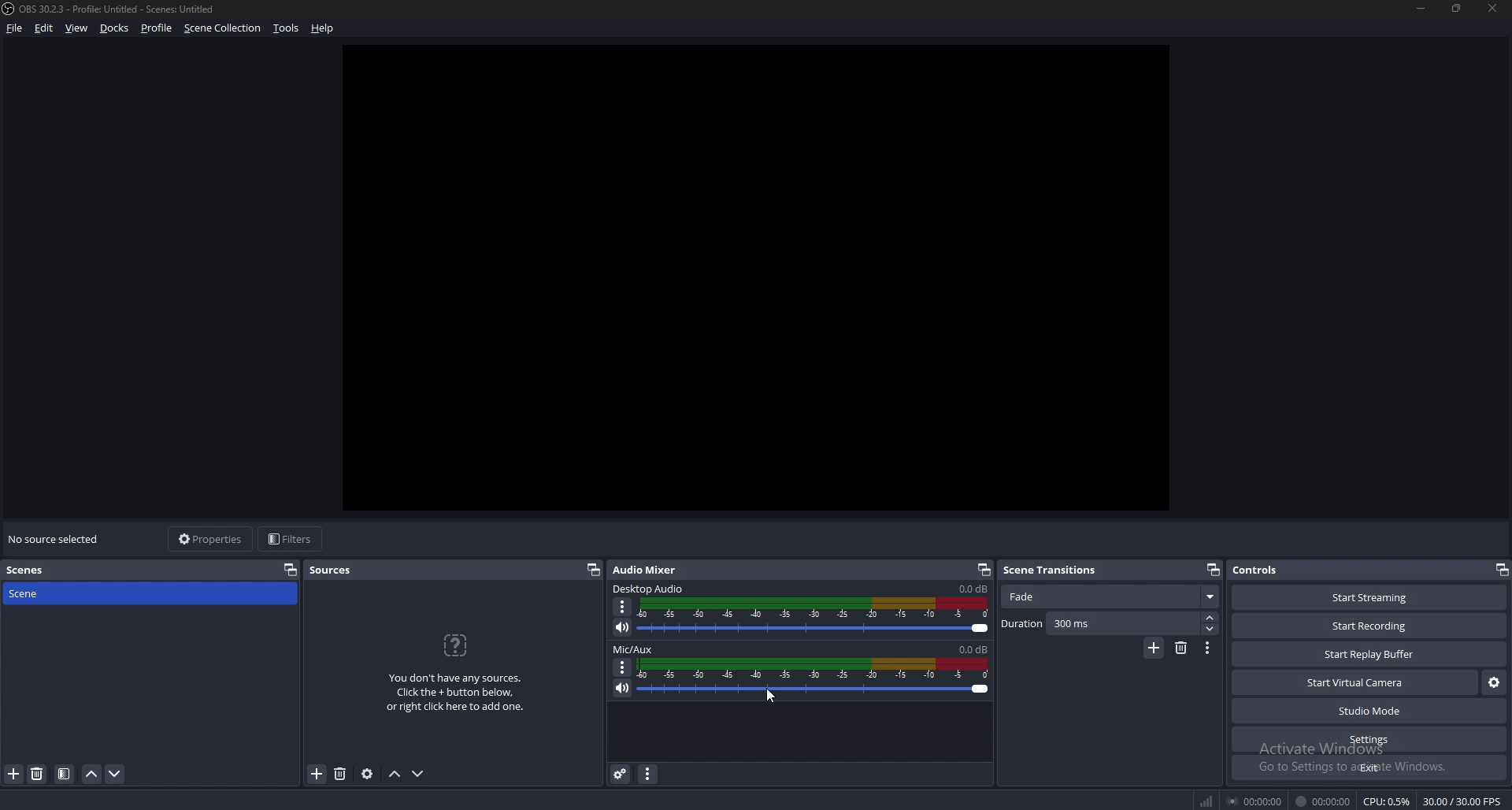 The width and height of the screenshot is (1512, 810). What do you see at coordinates (973, 589) in the screenshot?
I see `desktop audio volume` at bounding box center [973, 589].